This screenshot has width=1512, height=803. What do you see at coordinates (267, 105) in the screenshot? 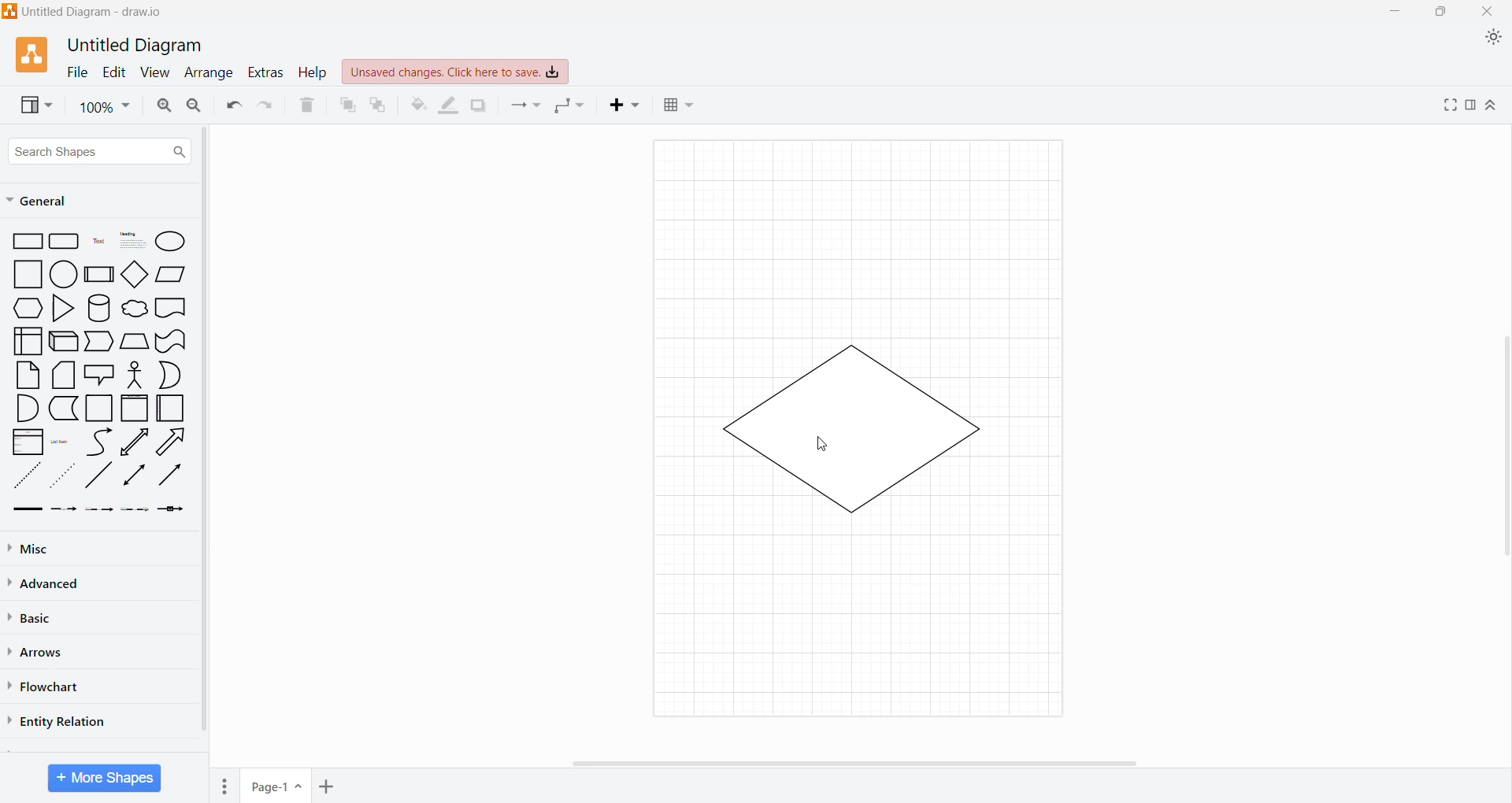
I see `Redo` at bounding box center [267, 105].